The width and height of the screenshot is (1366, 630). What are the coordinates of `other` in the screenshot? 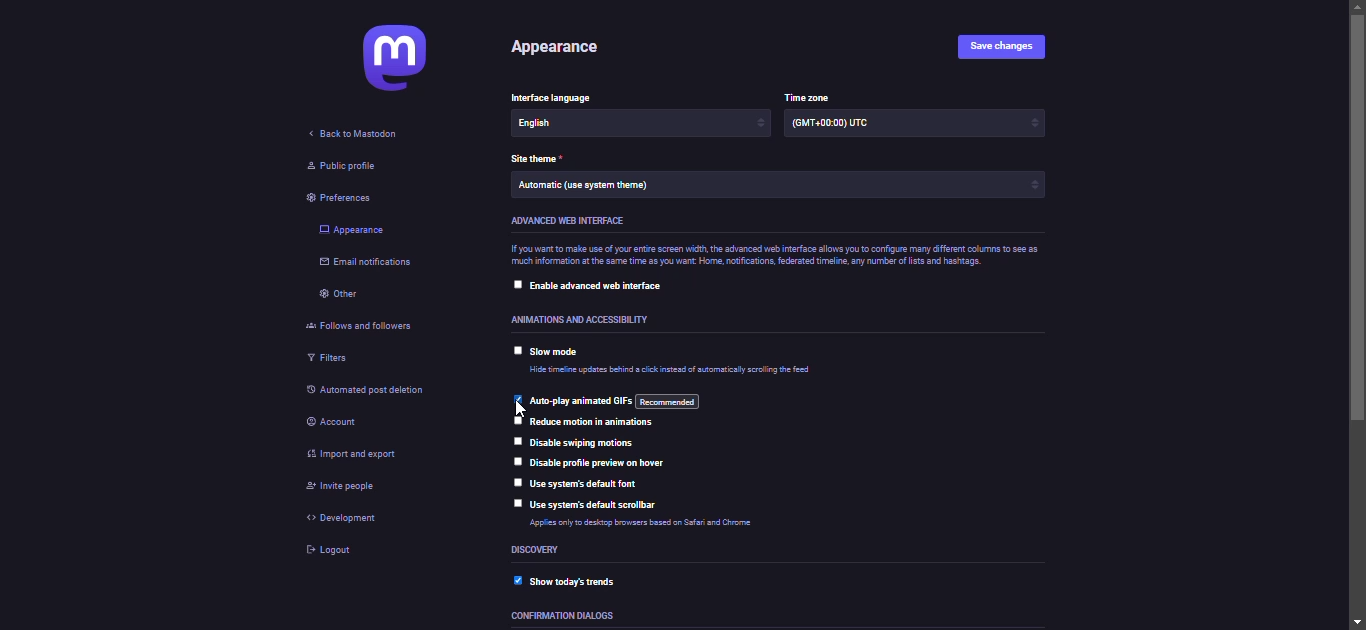 It's located at (343, 296).